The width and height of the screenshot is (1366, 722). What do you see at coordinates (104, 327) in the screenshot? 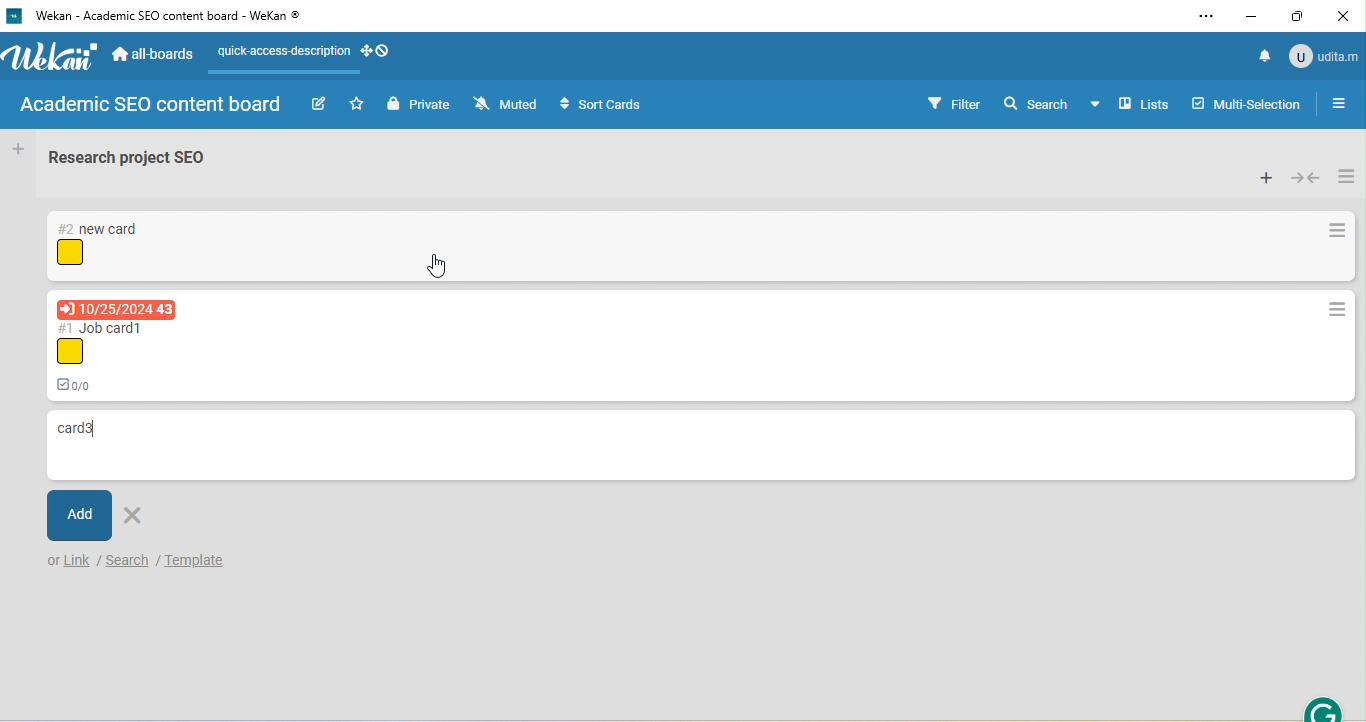
I see `card titles ` at bounding box center [104, 327].